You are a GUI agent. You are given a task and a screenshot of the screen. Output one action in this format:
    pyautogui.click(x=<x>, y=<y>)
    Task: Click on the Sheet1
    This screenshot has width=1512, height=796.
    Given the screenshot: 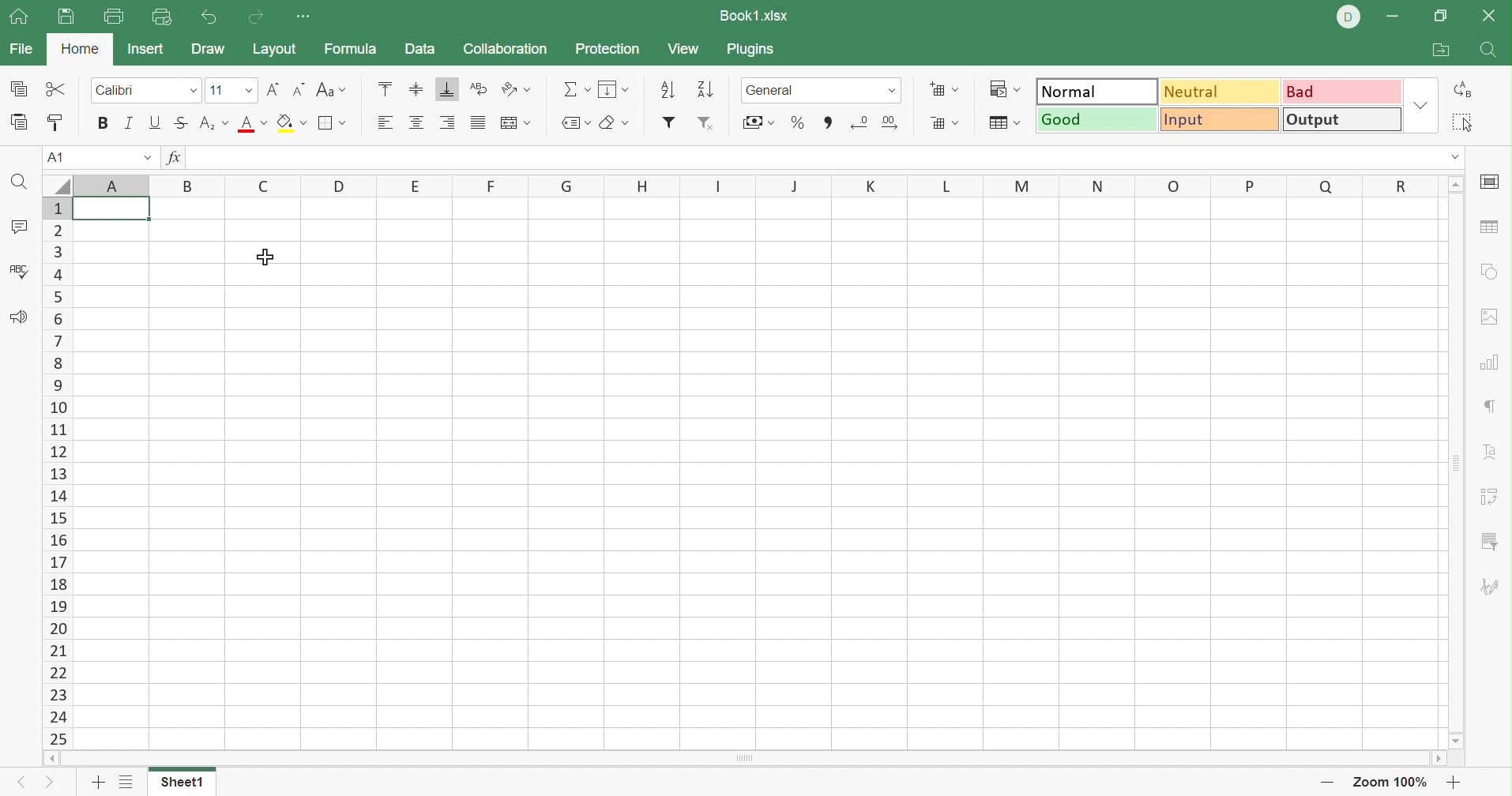 What is the action you would take?
    pyautogui.click(x=182, y=782)
    